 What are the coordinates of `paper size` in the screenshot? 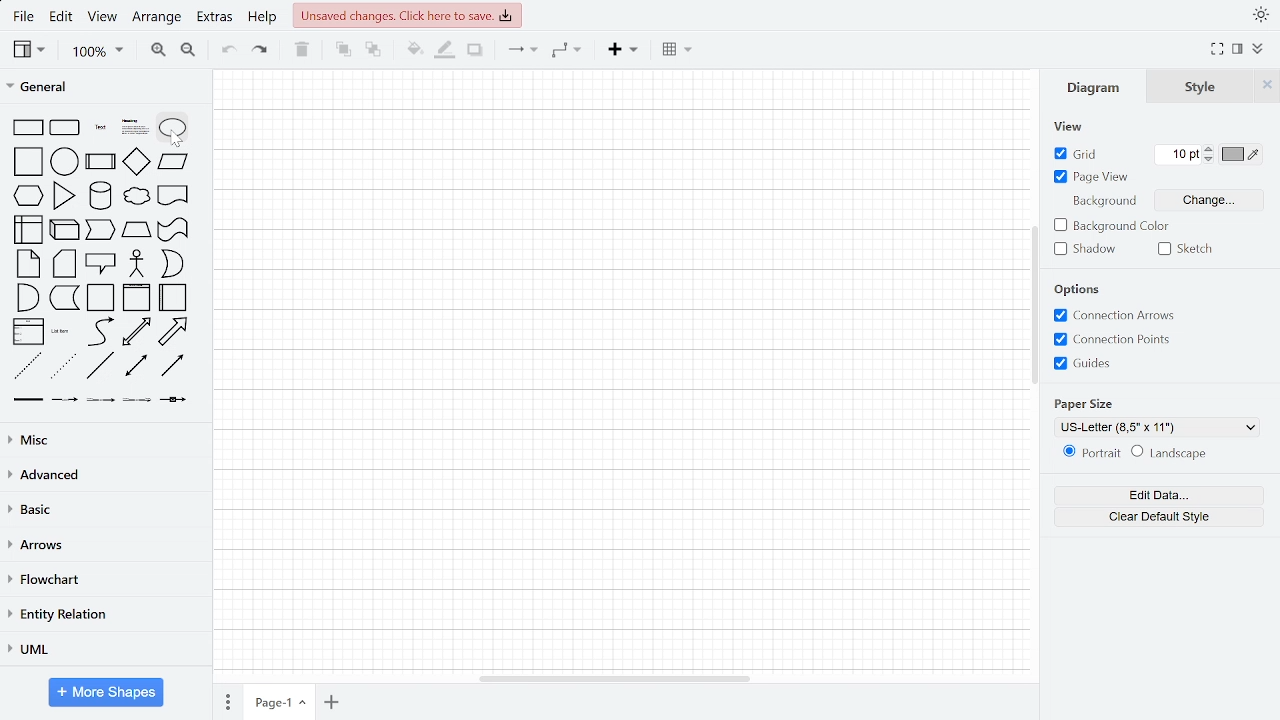 It's located at (1082, 404).